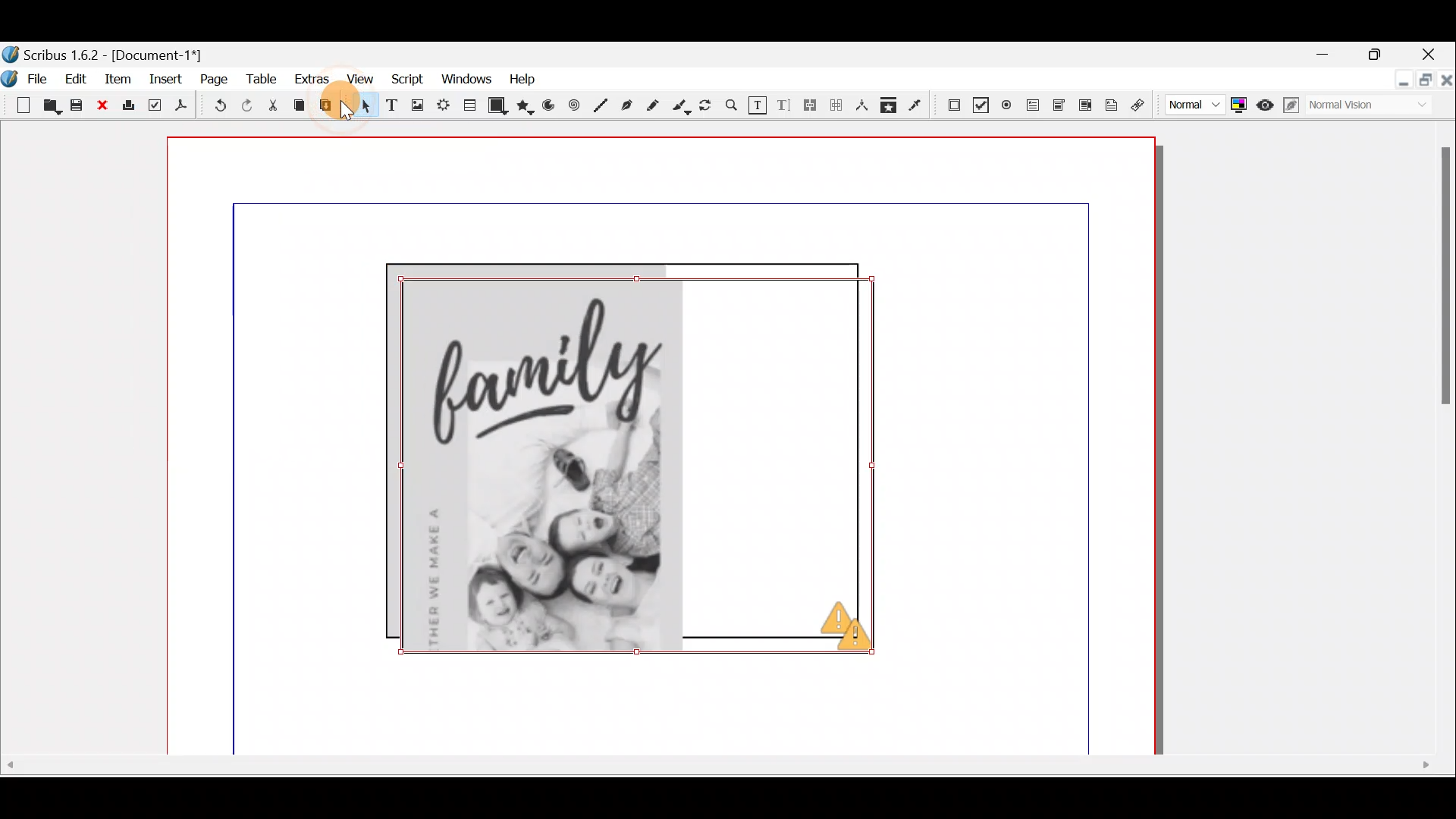 The width and height of the screenshot is (1456, 819). What do you see at coordinates (27, 77) in the screenshot?
I see `File` at bounding box center [27, 77].